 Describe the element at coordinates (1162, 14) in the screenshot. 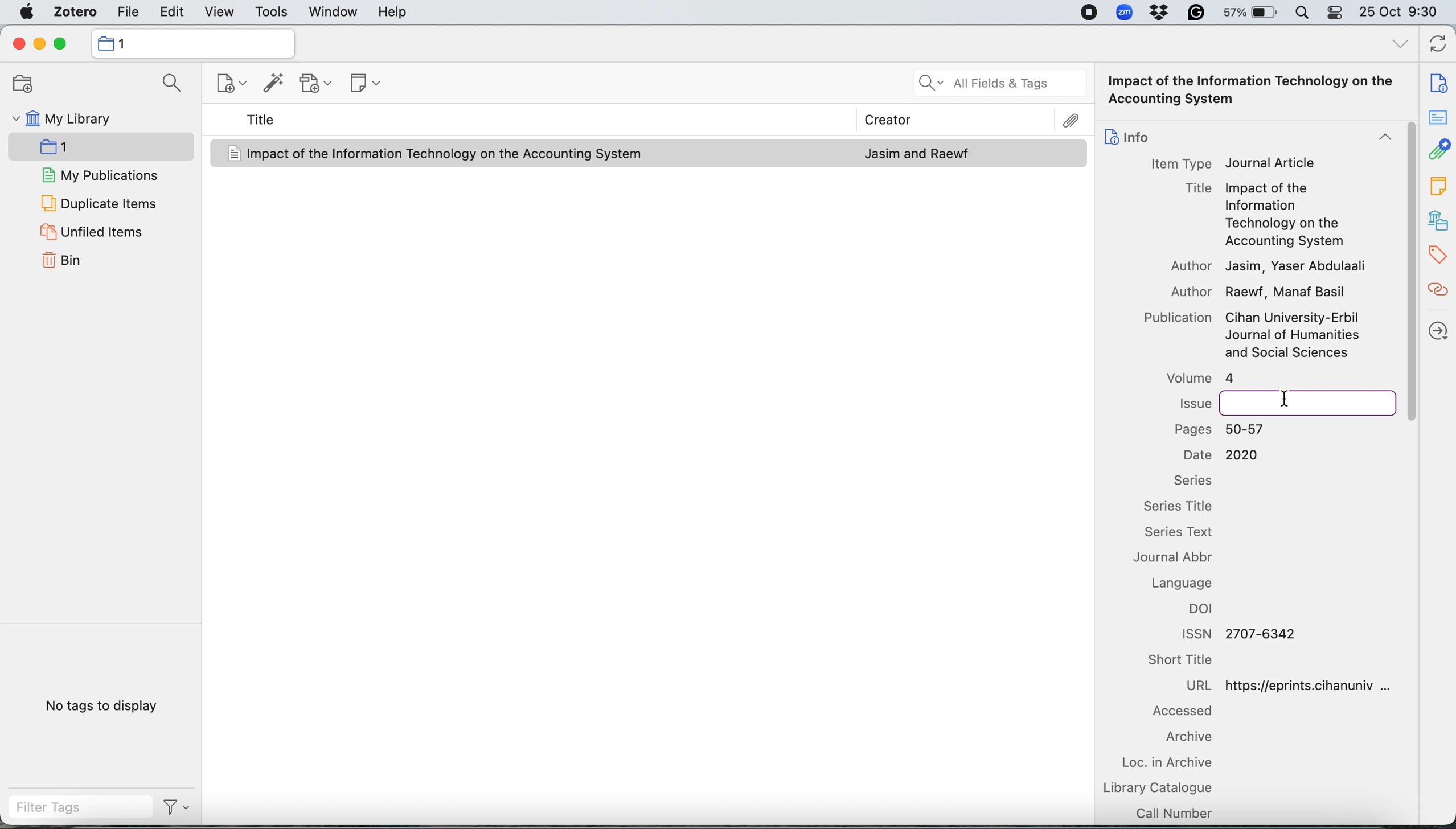

I see `dropbox` at that location.